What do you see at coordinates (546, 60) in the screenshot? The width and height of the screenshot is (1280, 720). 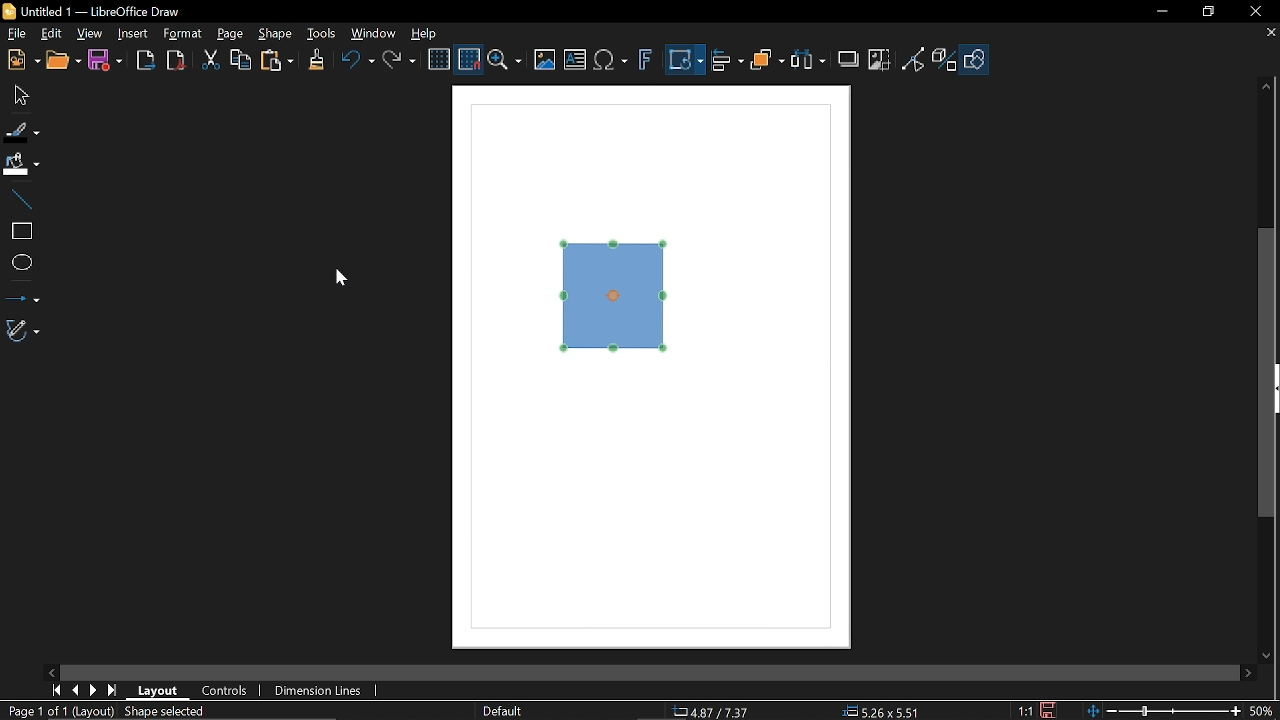 I see `Insert image` at bounding box center [546, 60].